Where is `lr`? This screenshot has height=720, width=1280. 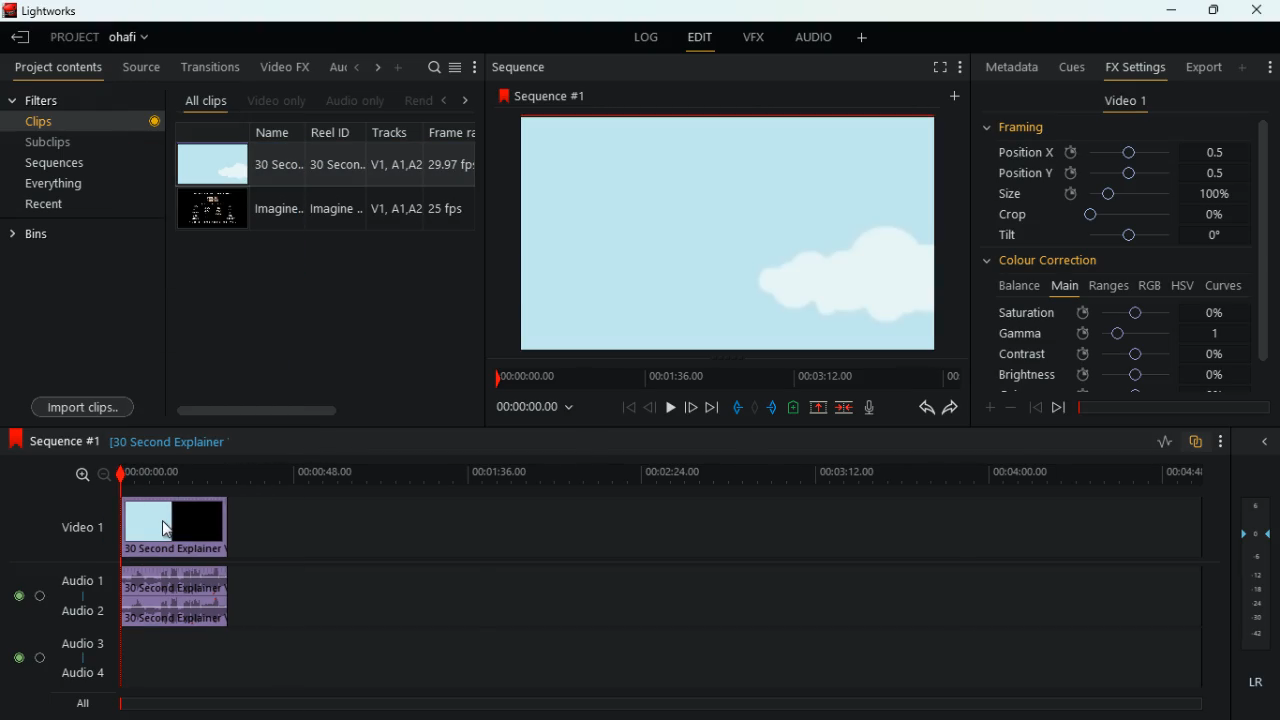 lr is located at coordinates (1253, 679).